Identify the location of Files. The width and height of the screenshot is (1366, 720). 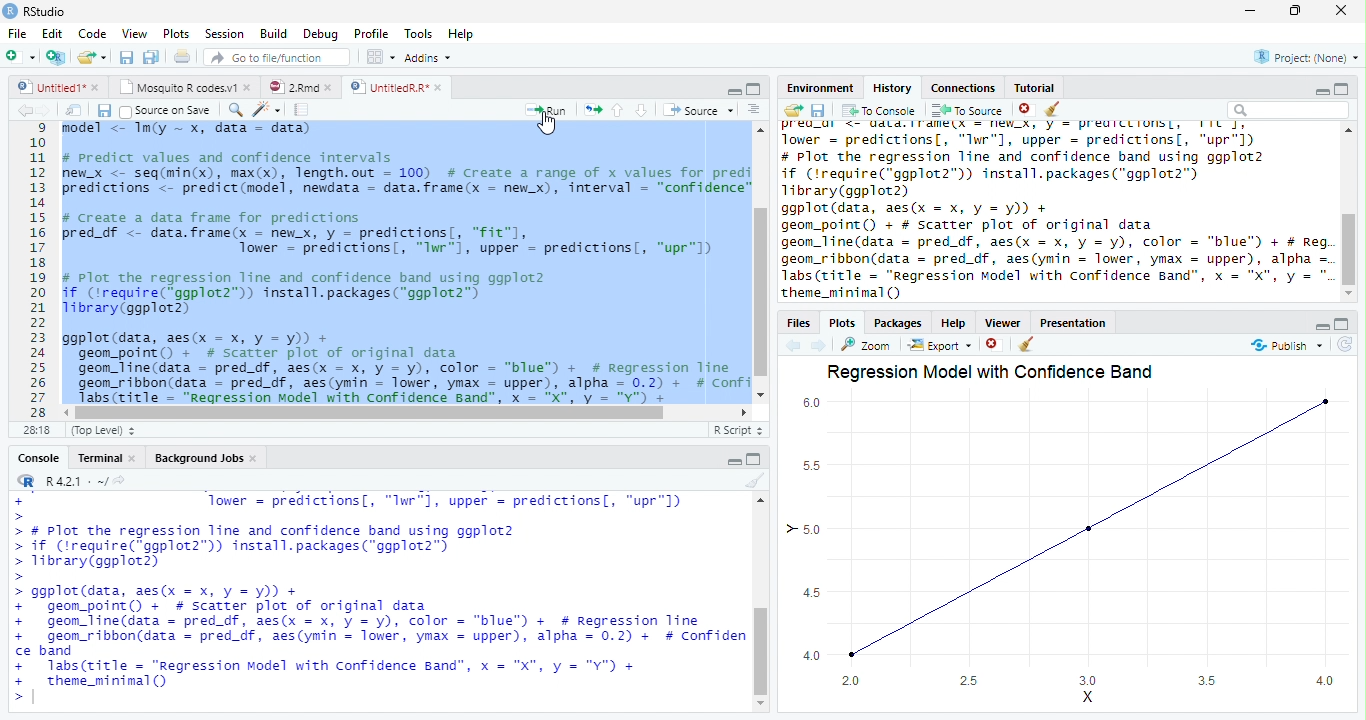
(800, 322).